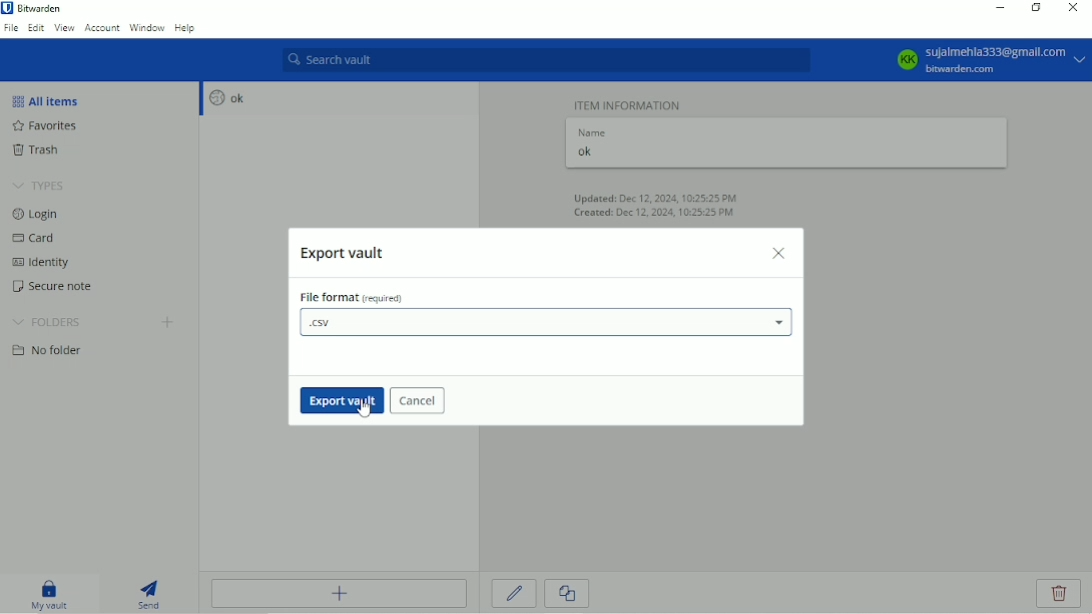 Image resolution: width=1092 pixels, height=614 pixels. Describe the element at coordinates (346, 254) in the screenshot. I see `Export vault` at that location.